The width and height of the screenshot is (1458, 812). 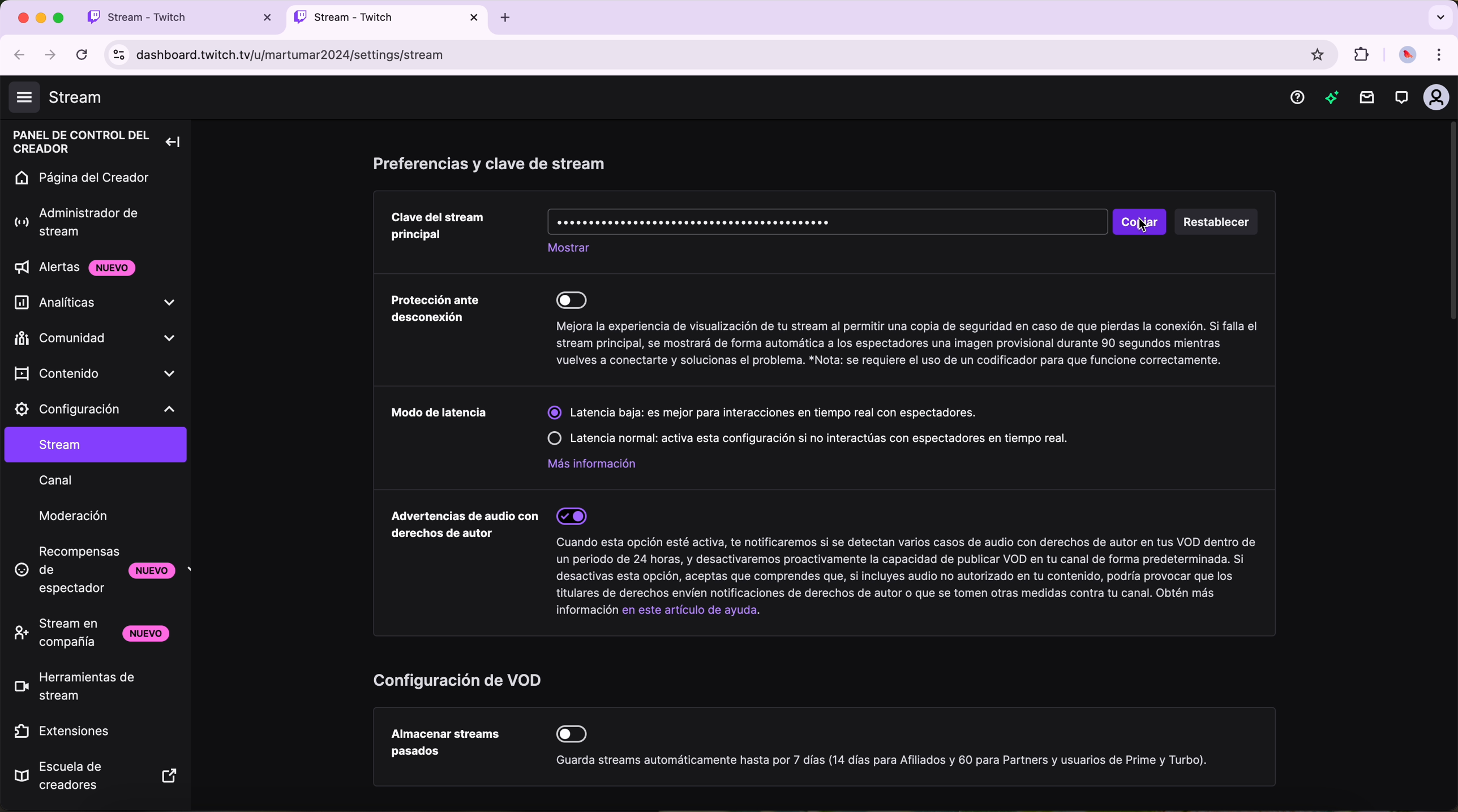 I want to click on refresh the page, so click(x=78, y=55).